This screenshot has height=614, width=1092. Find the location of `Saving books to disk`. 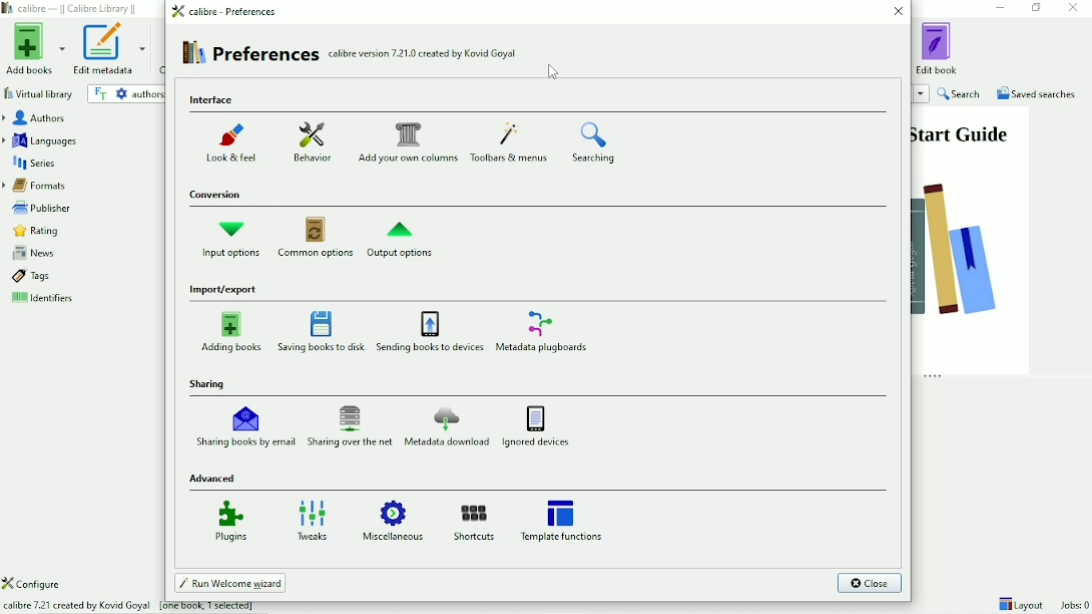

Saving books to disk is located at coordinates (321, 332).